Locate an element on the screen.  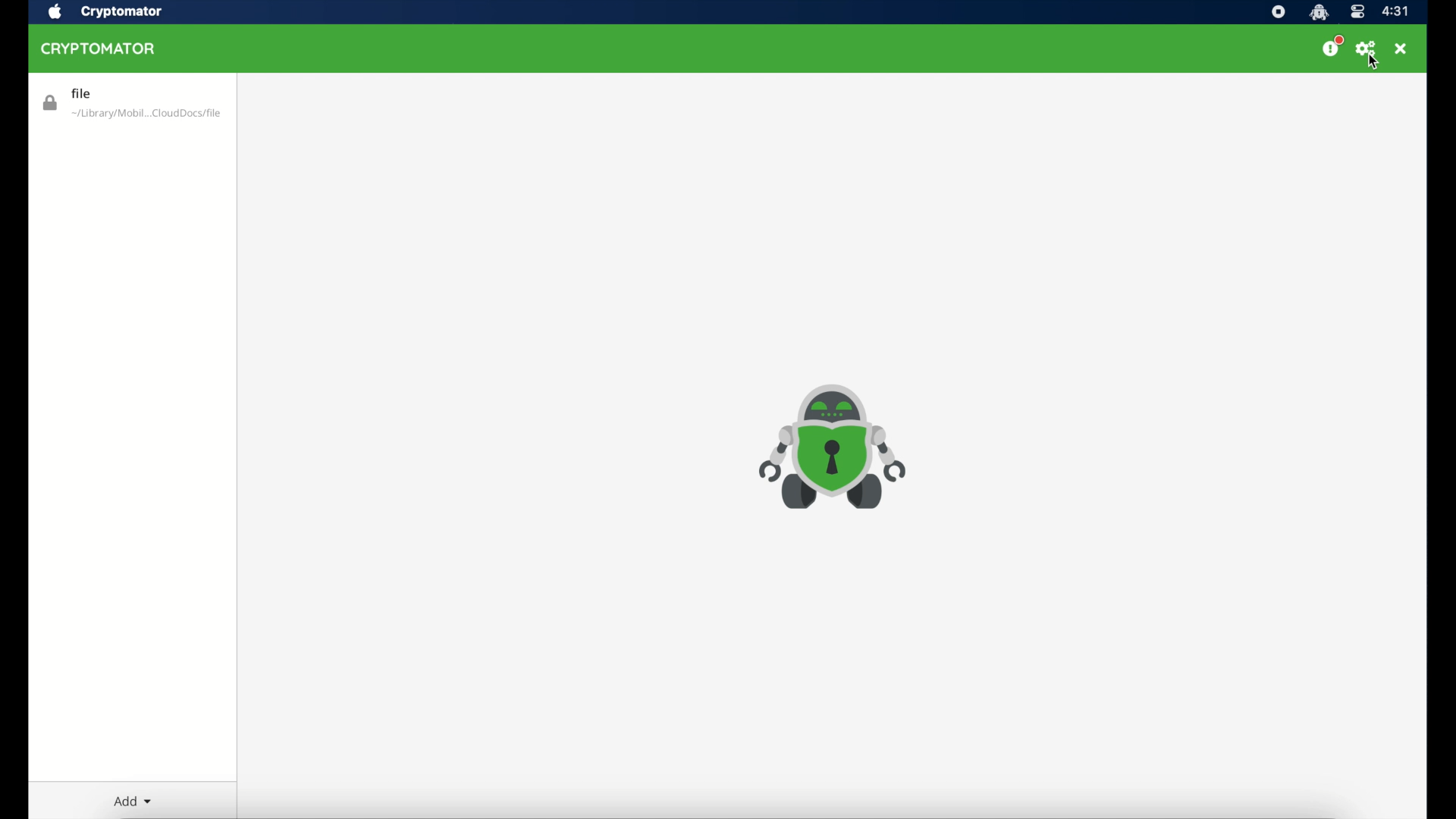
cryptomator is located at coordinates (99, 49).